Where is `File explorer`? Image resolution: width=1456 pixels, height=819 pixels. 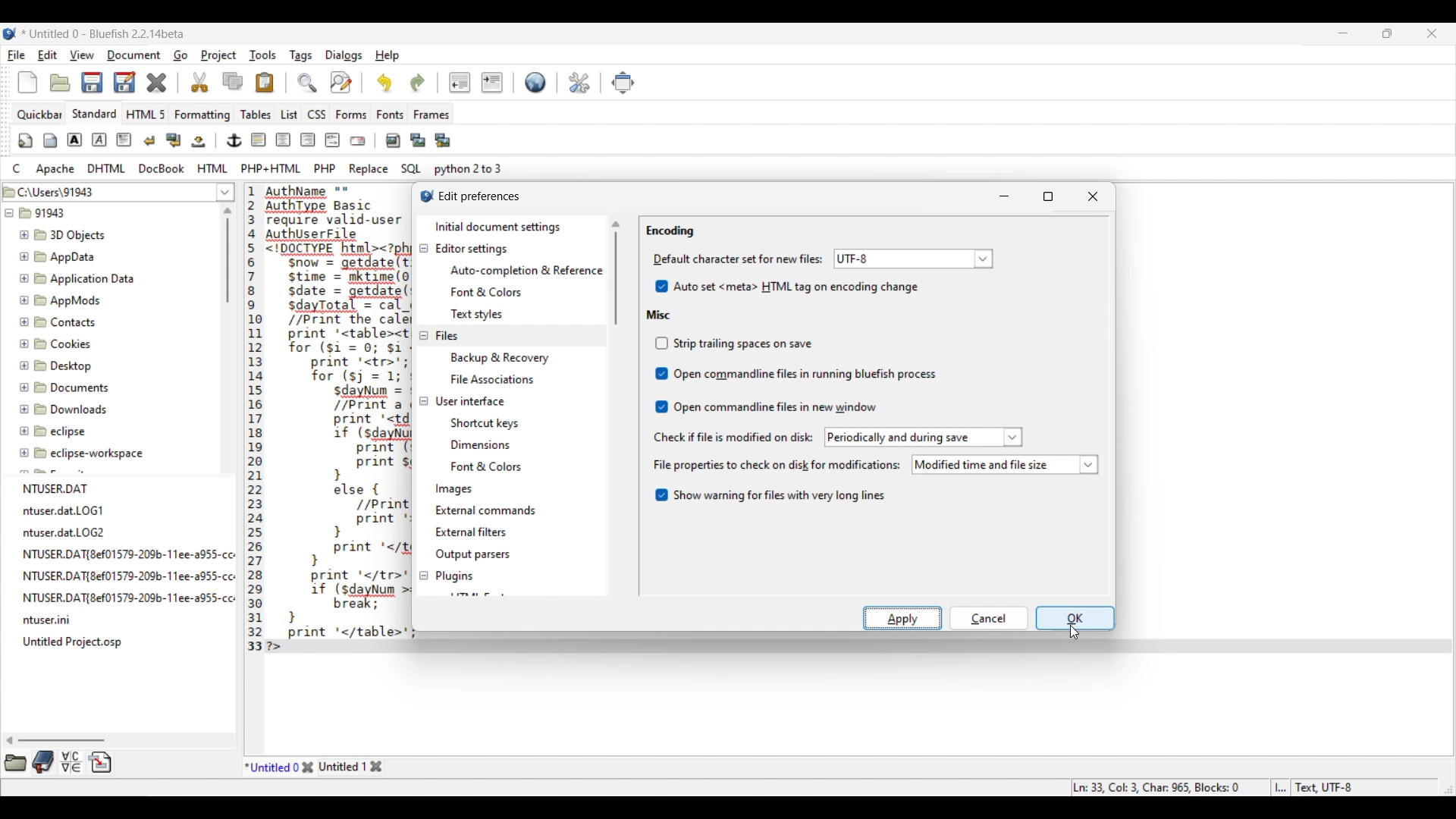
File explorer is located at coordinates (108, 414).